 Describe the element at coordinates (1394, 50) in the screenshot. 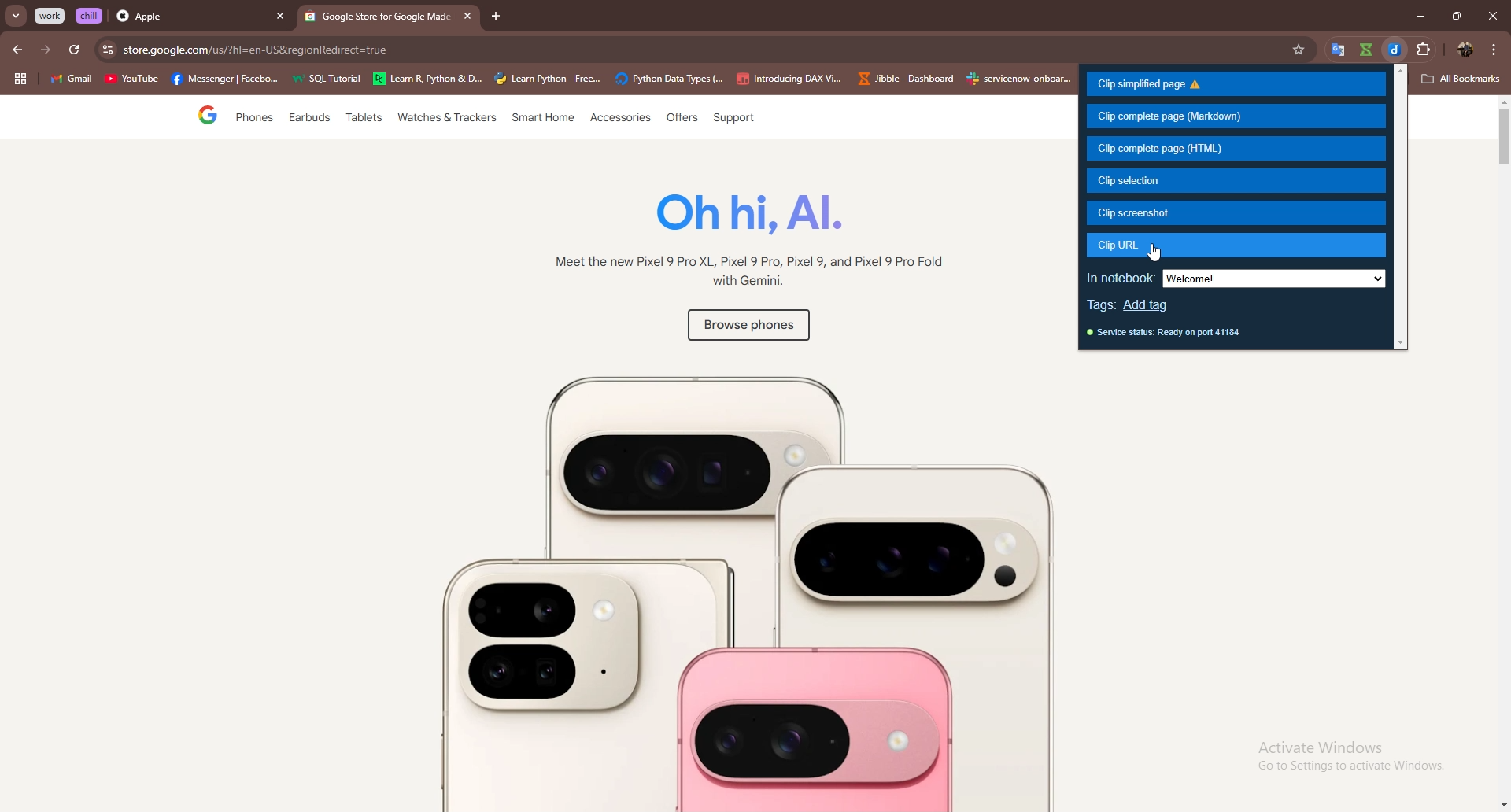

I see `jibble ` at that location.